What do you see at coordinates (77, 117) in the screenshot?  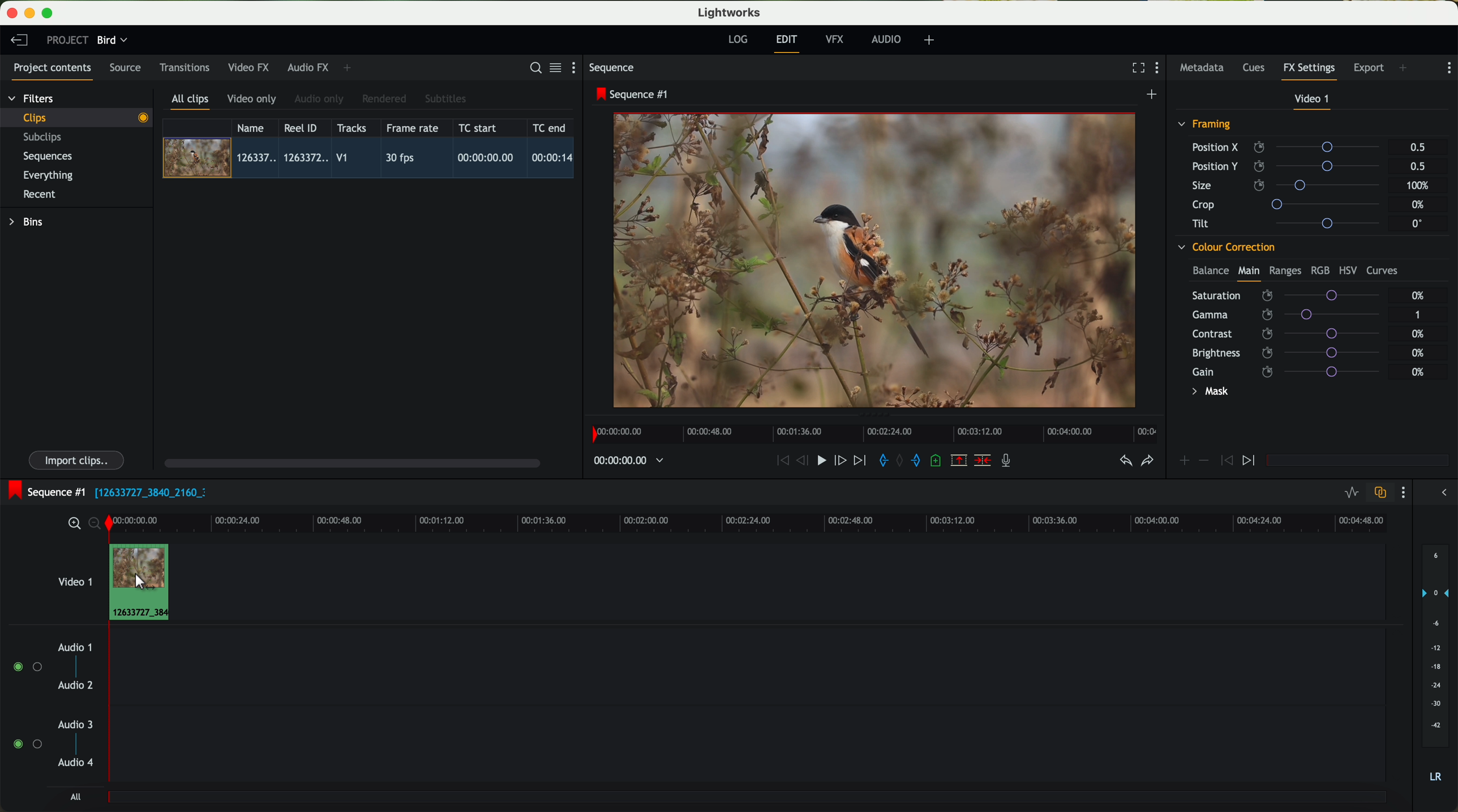 I see `clips` at bounding box center [77, 117].